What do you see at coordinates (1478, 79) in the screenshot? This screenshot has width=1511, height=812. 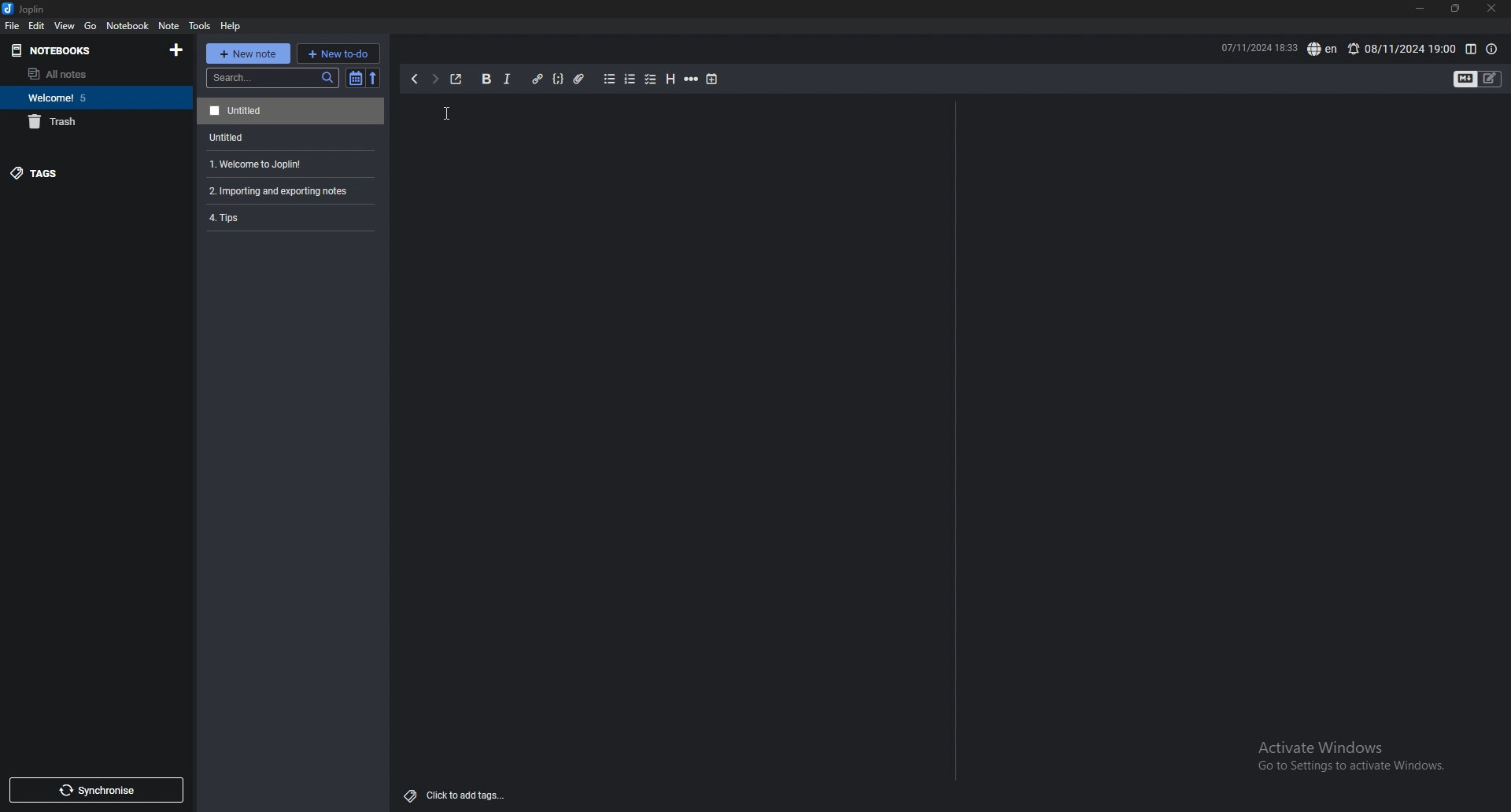 I see `toggle editors` at bounding box center [1478, 79].